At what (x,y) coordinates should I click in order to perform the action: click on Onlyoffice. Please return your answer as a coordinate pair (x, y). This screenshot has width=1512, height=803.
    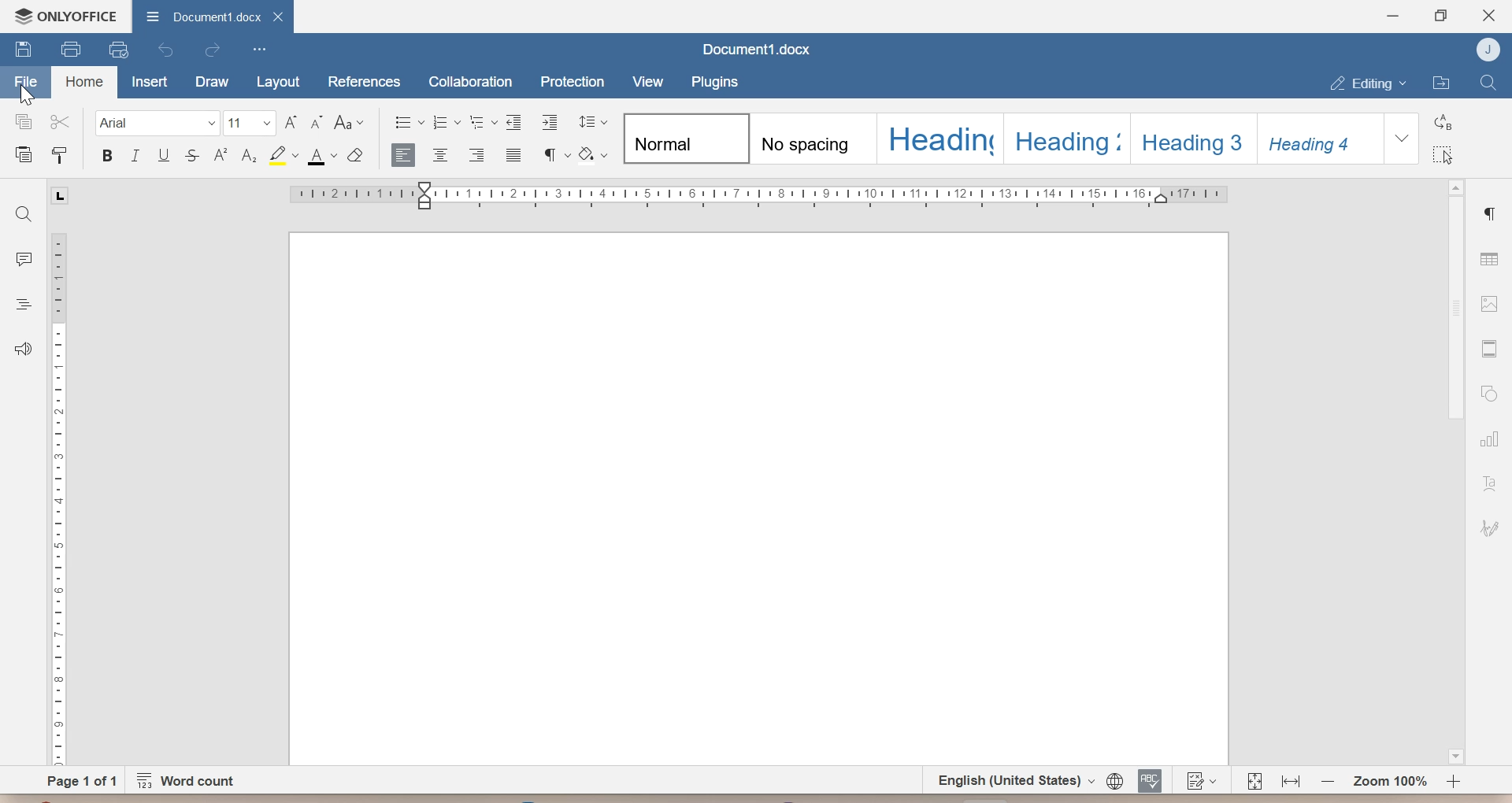
    Looking at the image, I should click on (80, 15).